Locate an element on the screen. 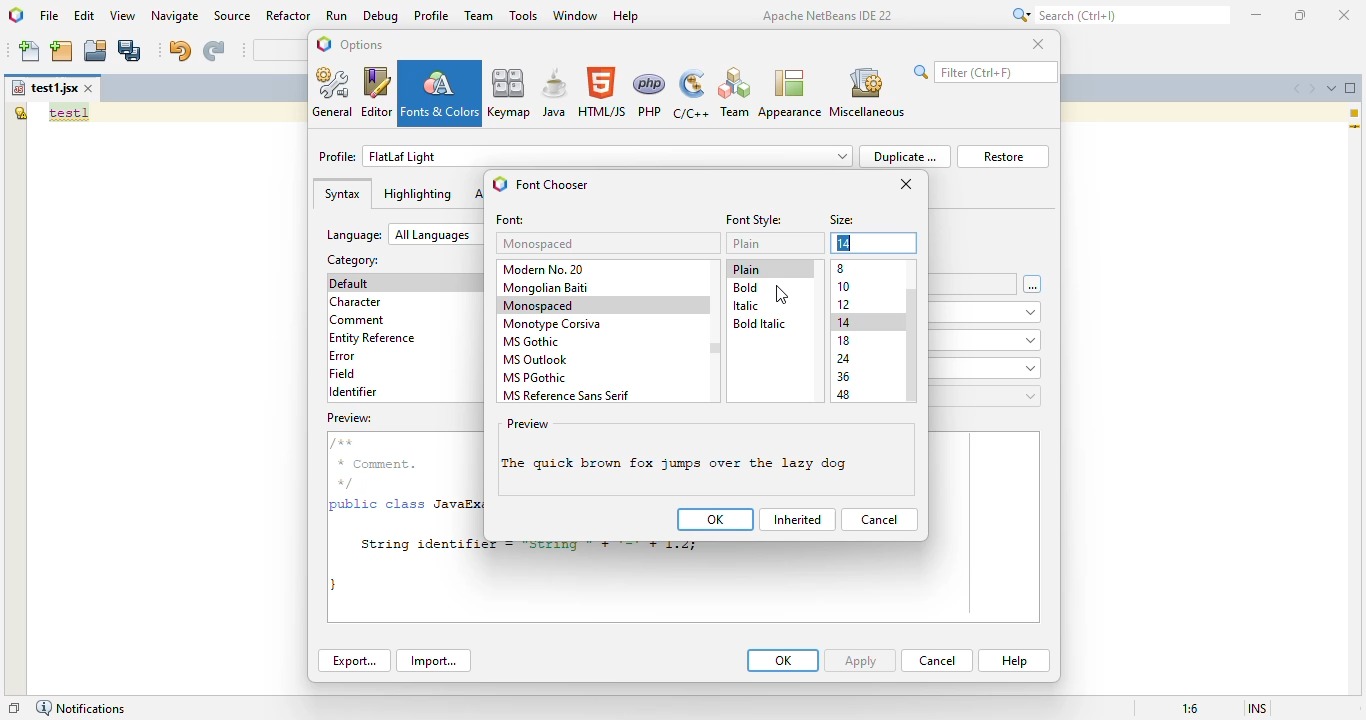 This screenshot has width=1366, height=720. view is located at coordinates (123, 16).